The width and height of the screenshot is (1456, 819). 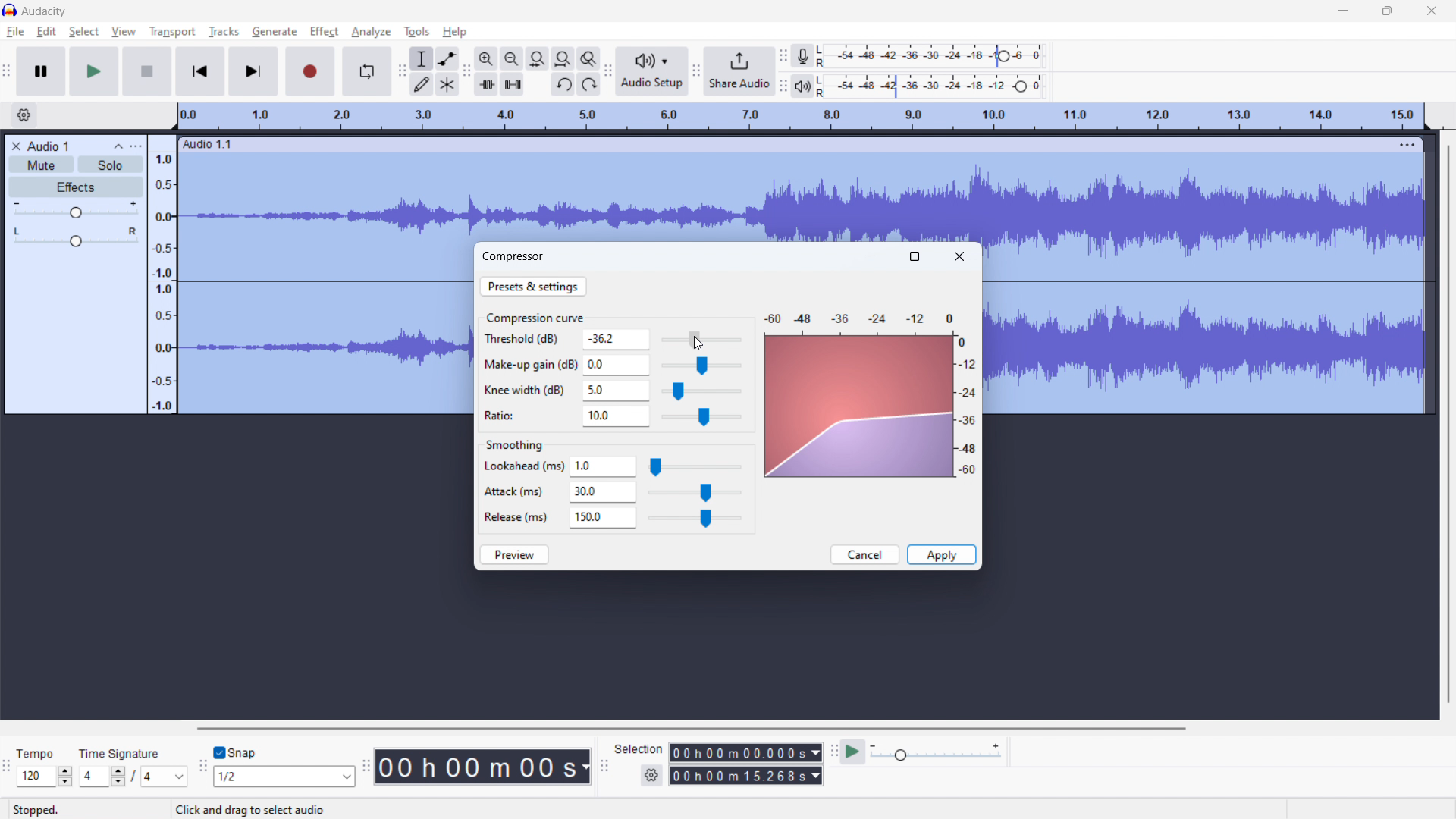 What do you see at coordinates (616, 391) in the screenshot?
I see `5.0` at bounding box center [616, 391].